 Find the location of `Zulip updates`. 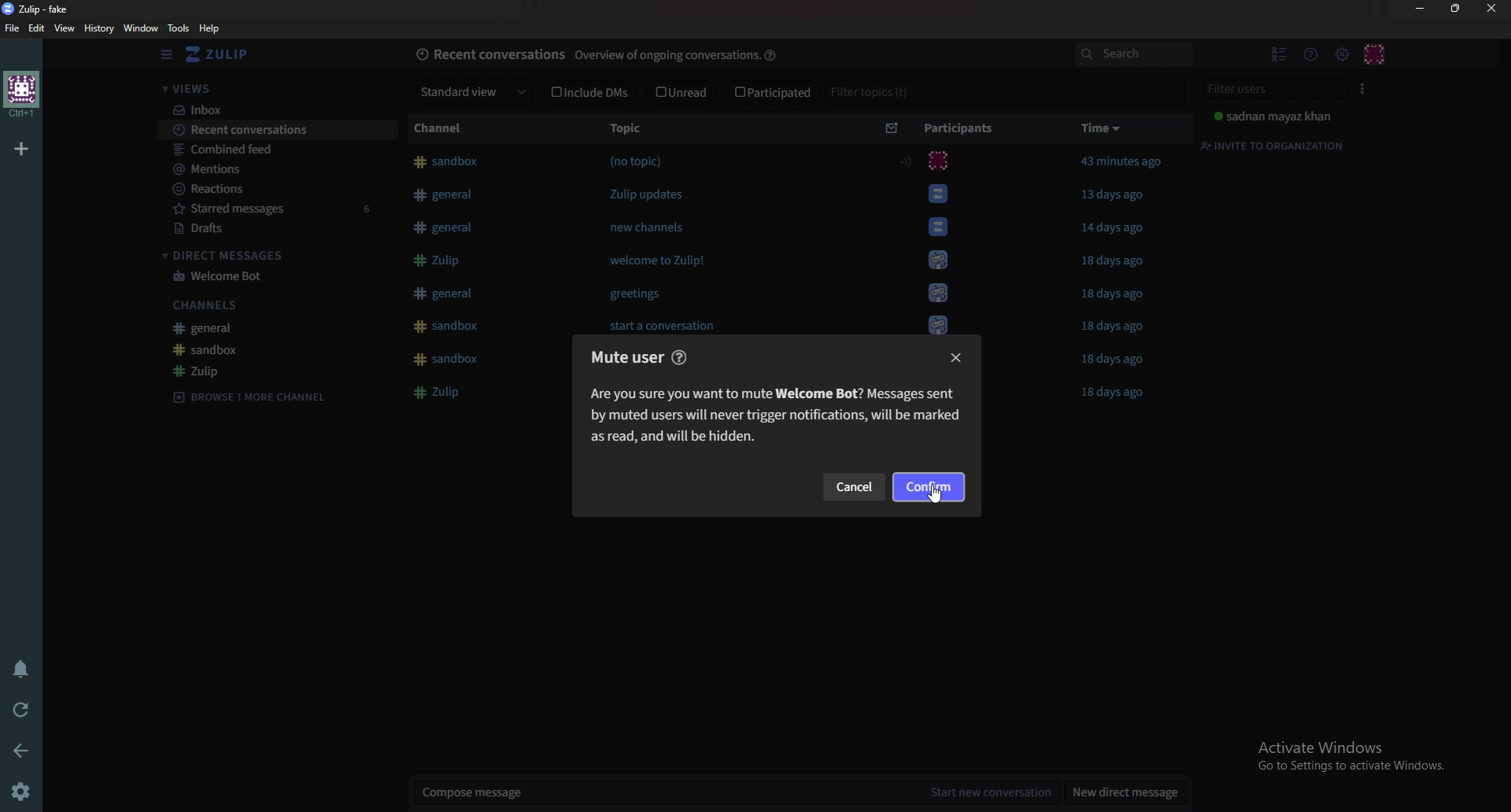

Zulip updates is located at coordinates (645, 196).